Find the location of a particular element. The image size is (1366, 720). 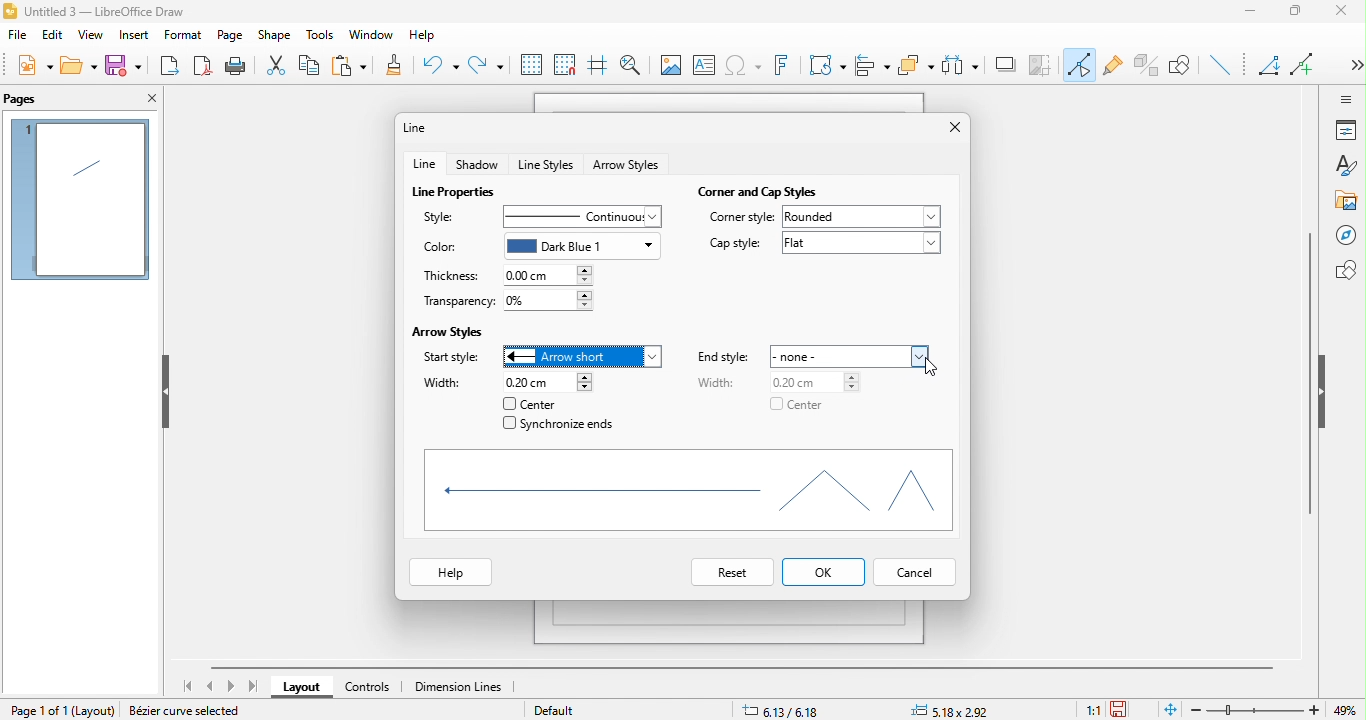

0.00 cm is located at coordinates (550, 275).